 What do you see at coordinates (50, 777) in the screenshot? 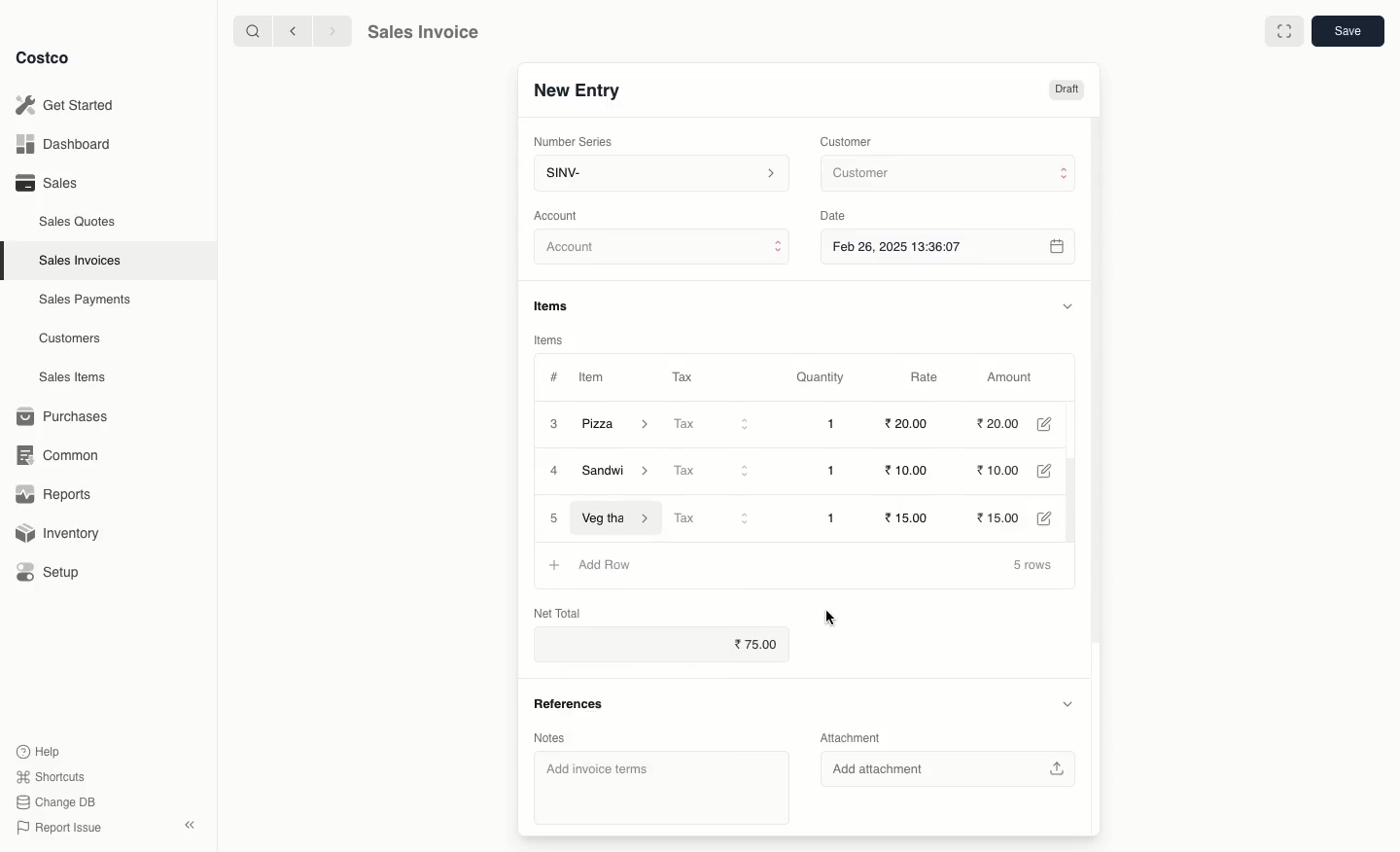
I see `Shortcuts` at bounding box center [50, 777].